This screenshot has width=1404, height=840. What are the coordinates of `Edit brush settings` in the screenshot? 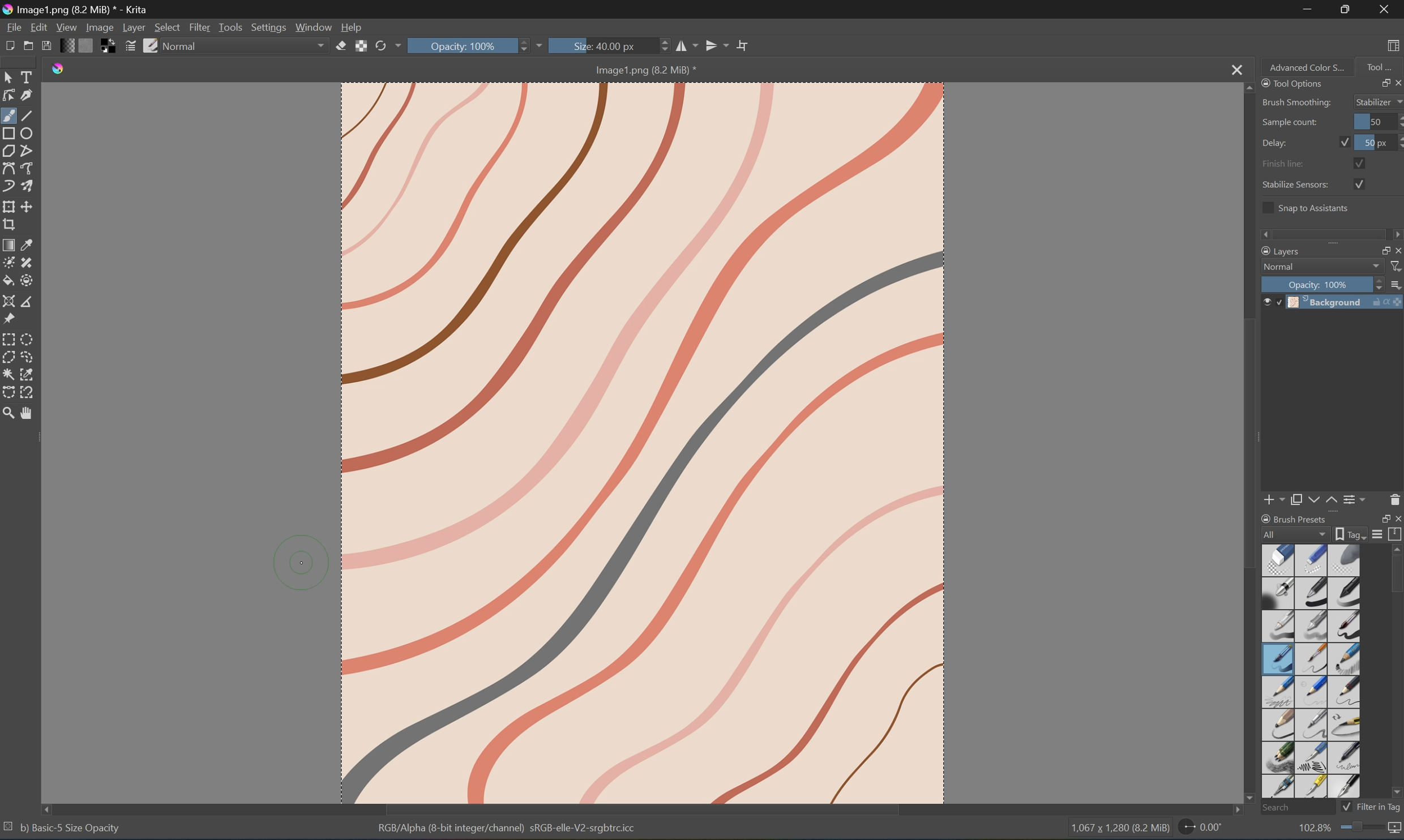 It's located at (129, 48).